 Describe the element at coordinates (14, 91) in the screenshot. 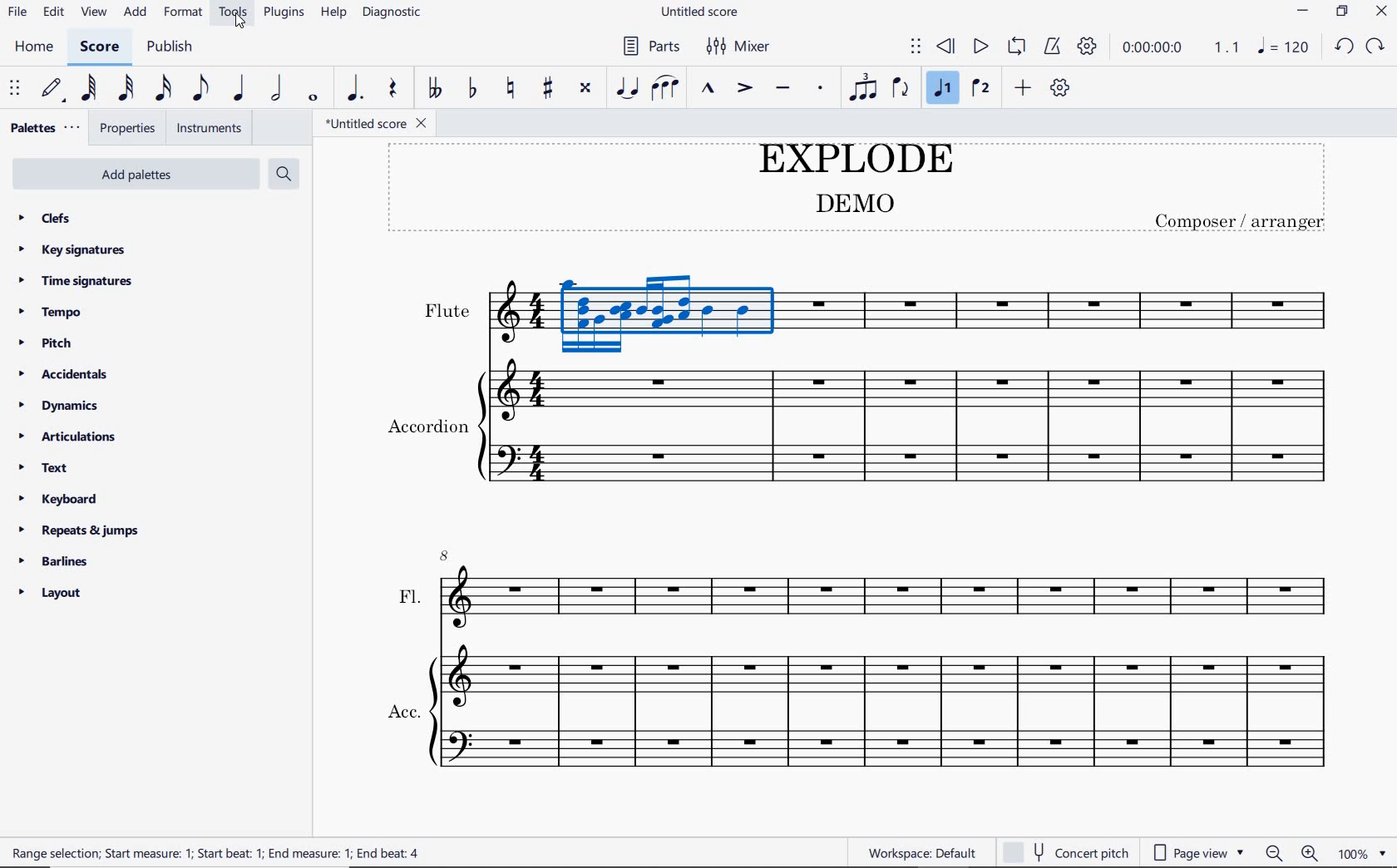

I see `select to move` at that location.